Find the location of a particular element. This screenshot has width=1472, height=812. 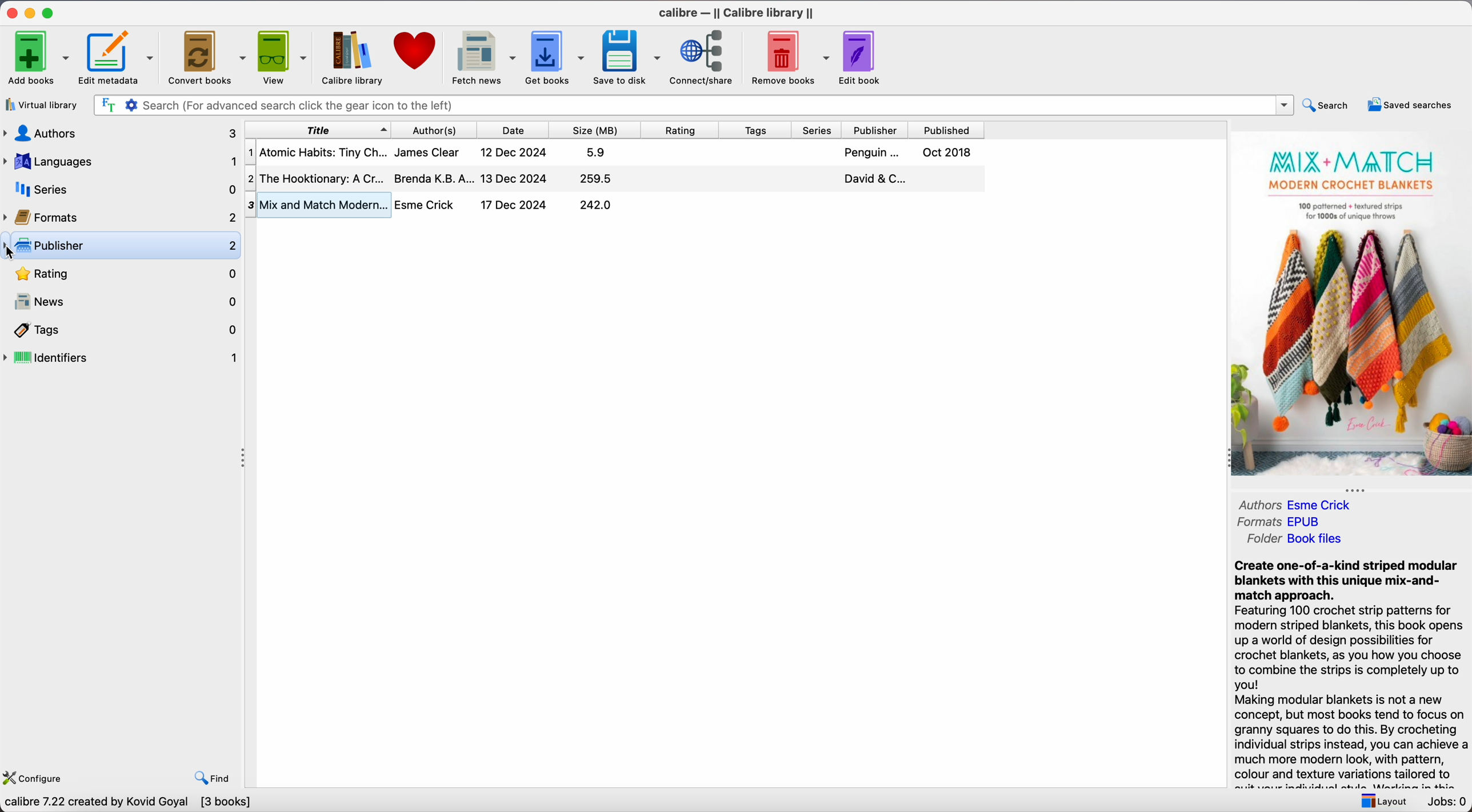

tags is located at coordinates (122, 330).